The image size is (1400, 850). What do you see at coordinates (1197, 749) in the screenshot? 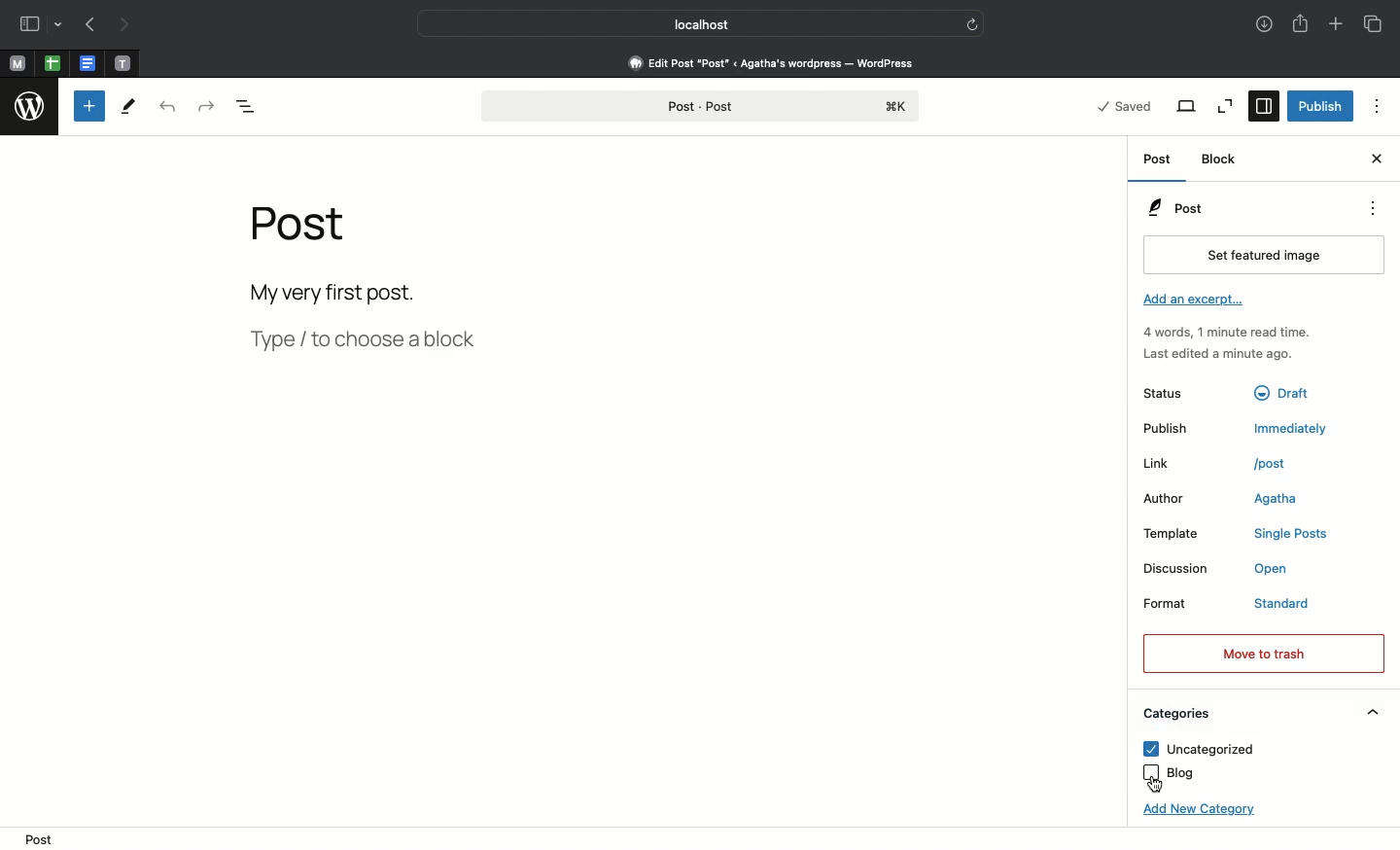
I see `Uncategorized` at bounding box center [1197, 749].